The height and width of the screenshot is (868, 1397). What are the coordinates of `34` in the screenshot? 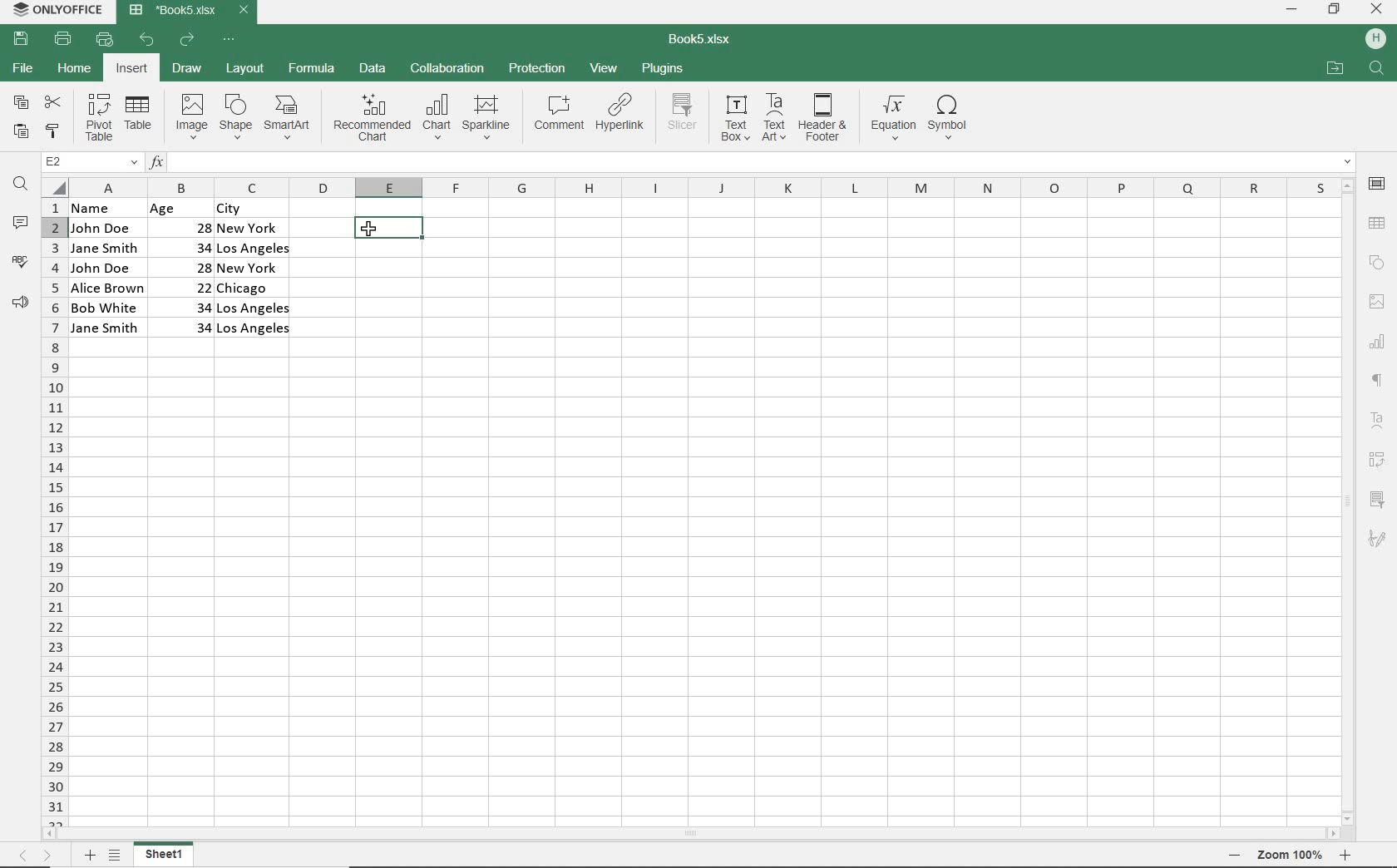 It's located at (197, 328).